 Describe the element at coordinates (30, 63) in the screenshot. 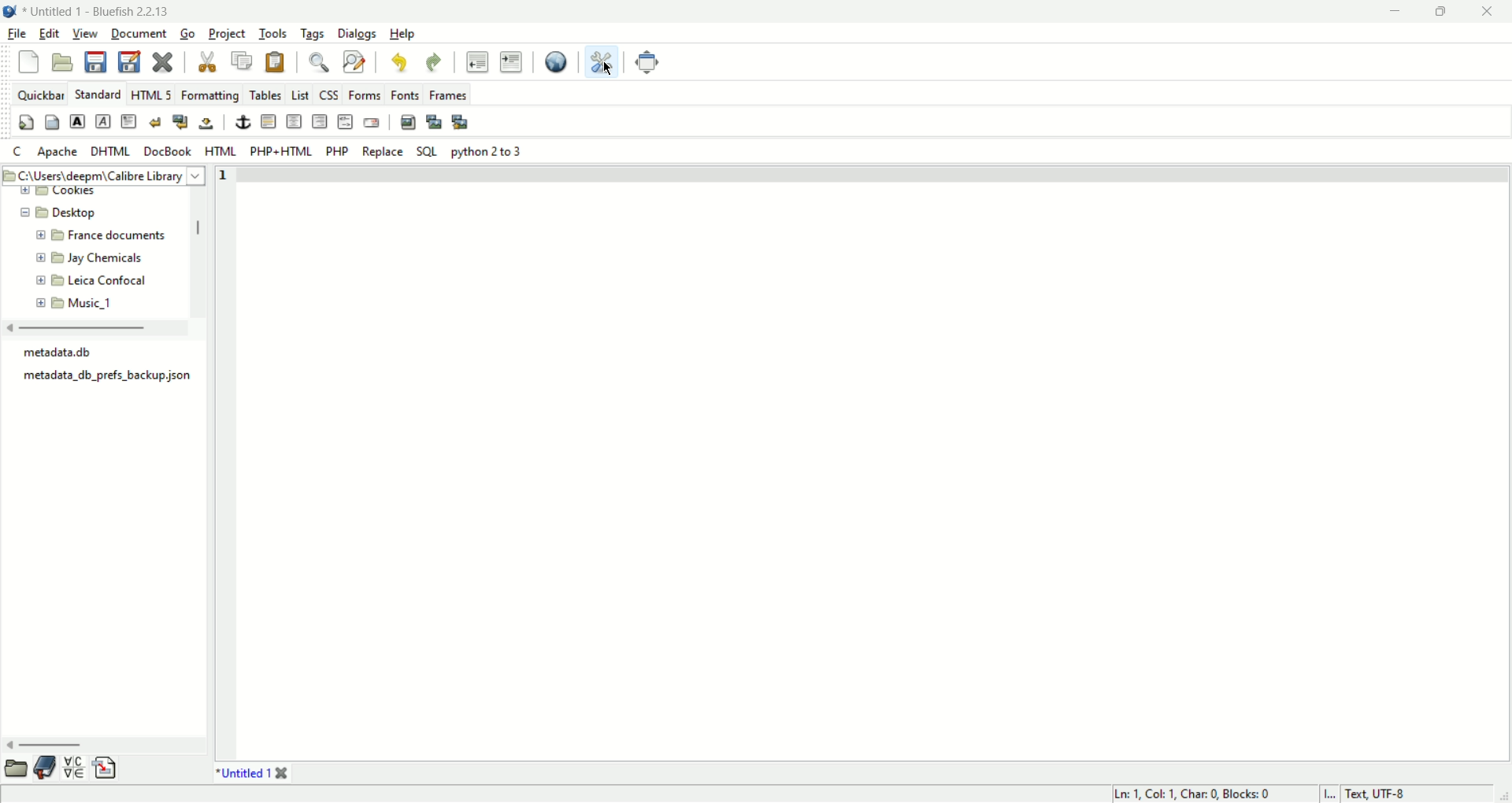

I see `new file` at that location.